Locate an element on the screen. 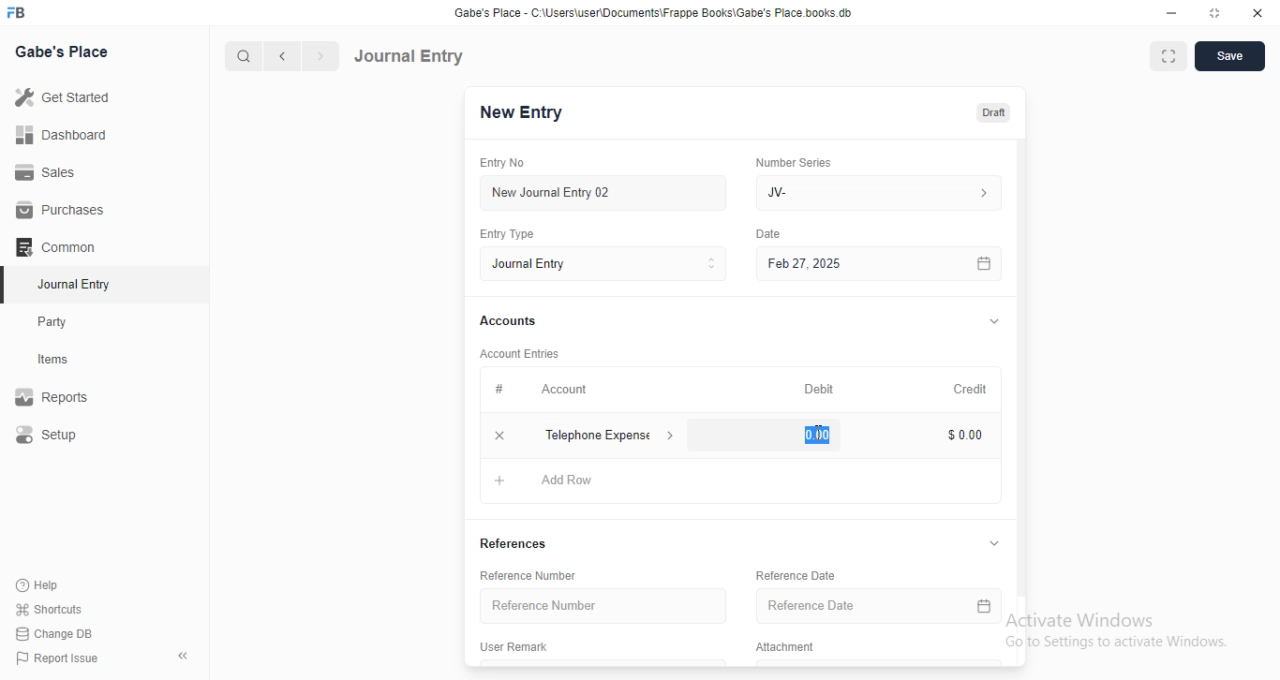 The image size is (1280, 680). Accounts is located at coordinates (507, 321).